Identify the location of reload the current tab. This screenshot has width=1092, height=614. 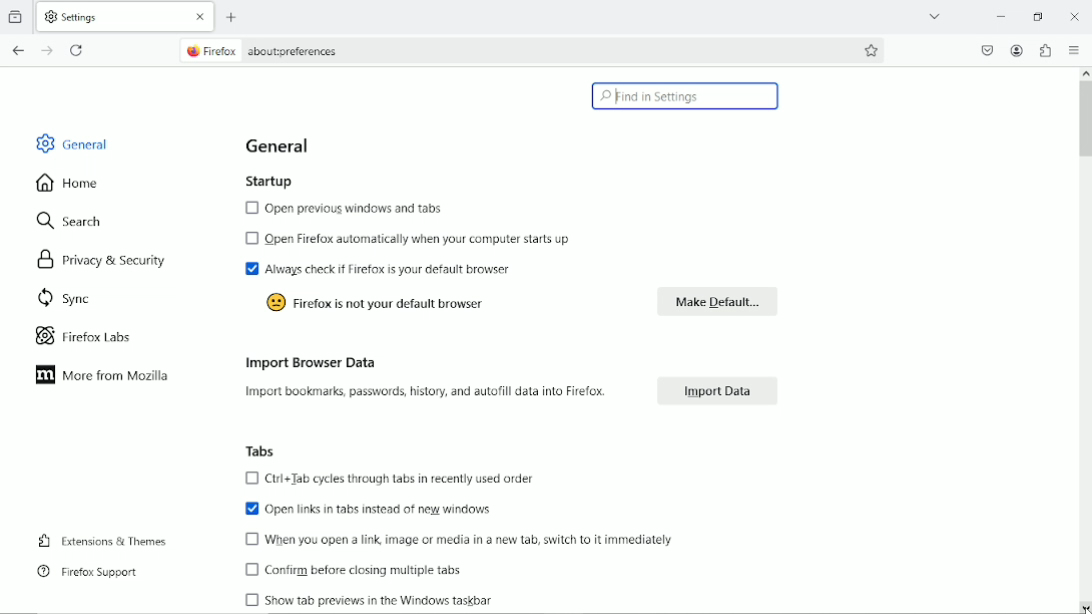
(78, 50).